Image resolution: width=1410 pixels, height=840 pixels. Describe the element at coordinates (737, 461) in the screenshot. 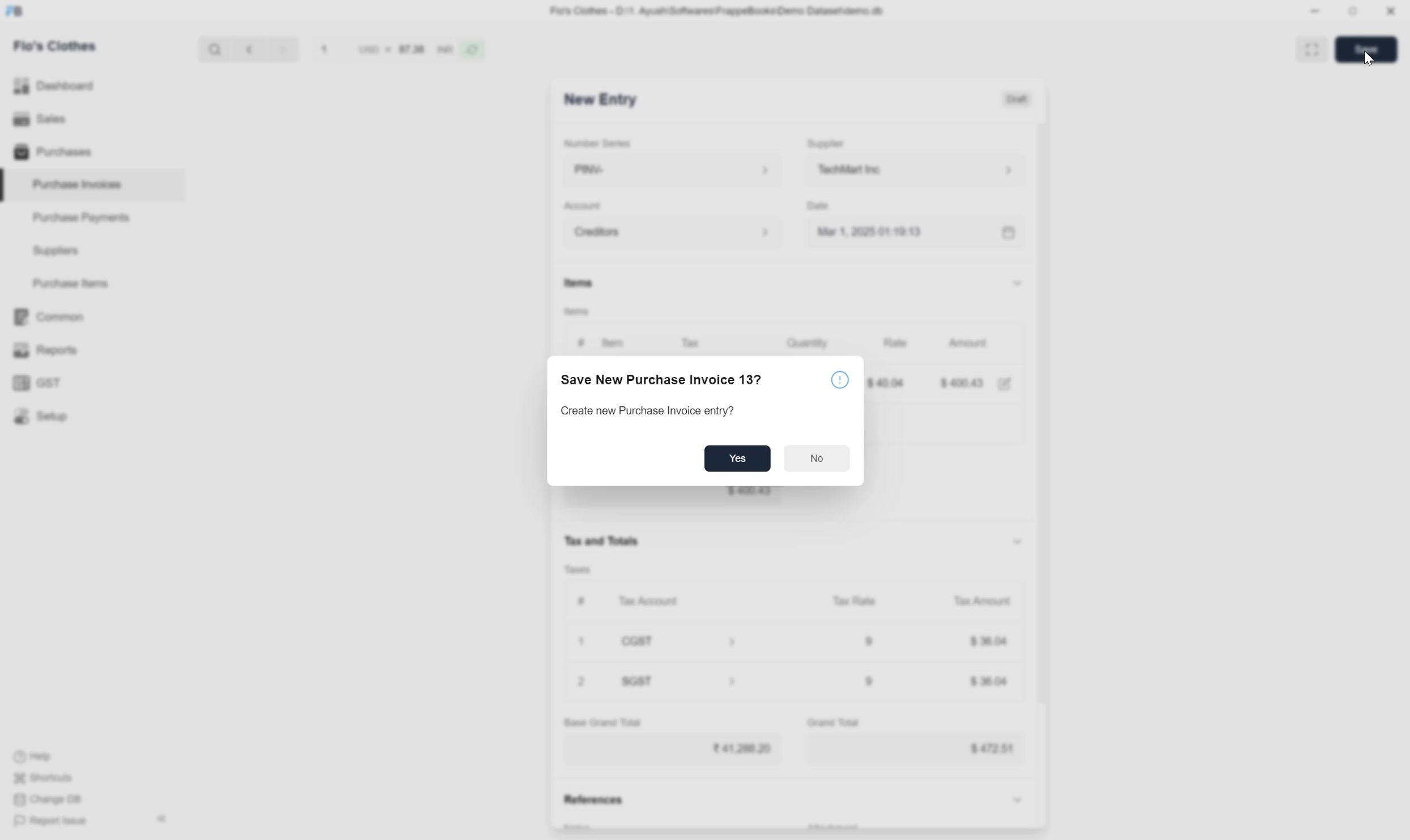

I see `Yes` at that location.